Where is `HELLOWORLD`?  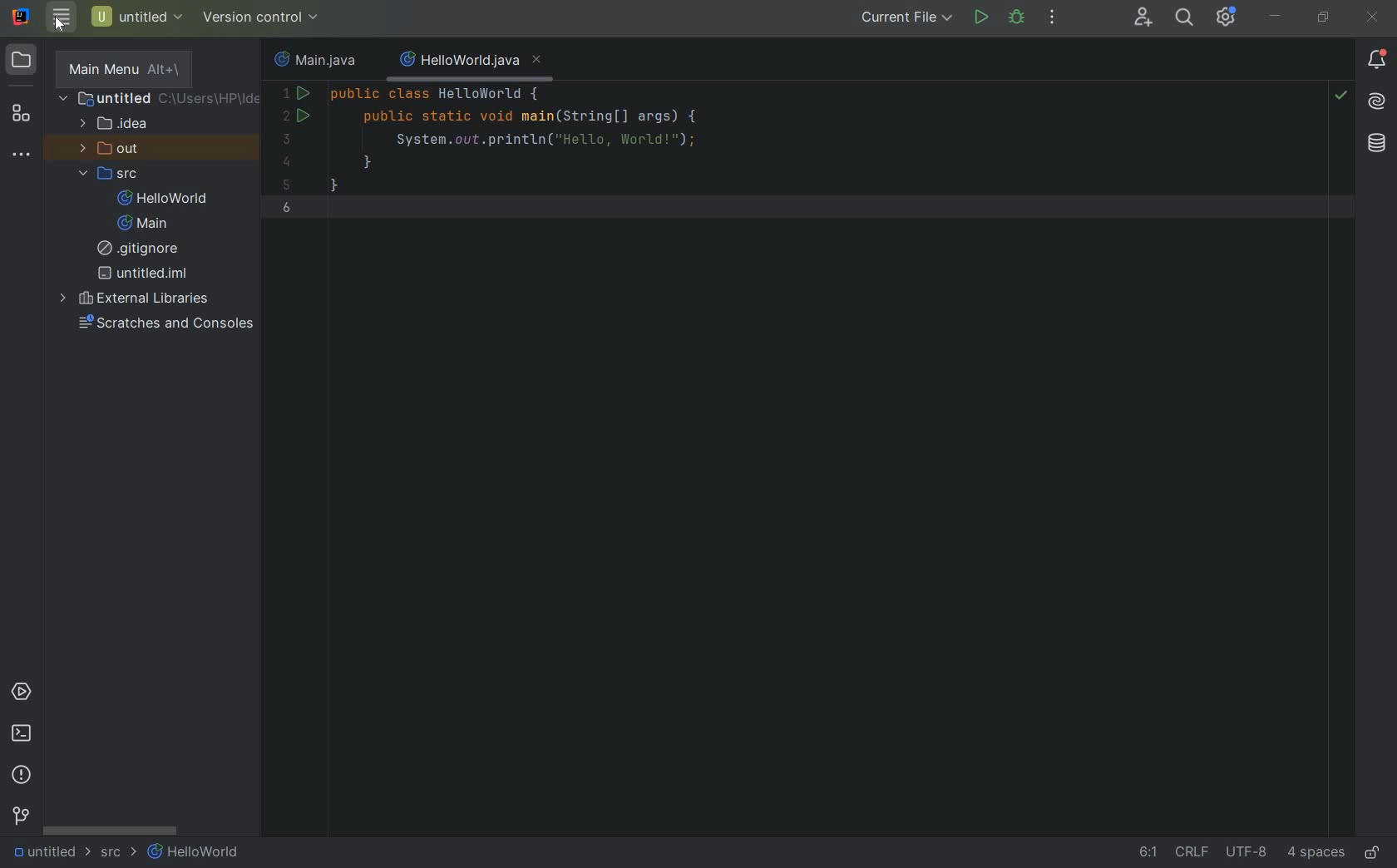 HELLOWORLD is located at coordinates (164, 199).